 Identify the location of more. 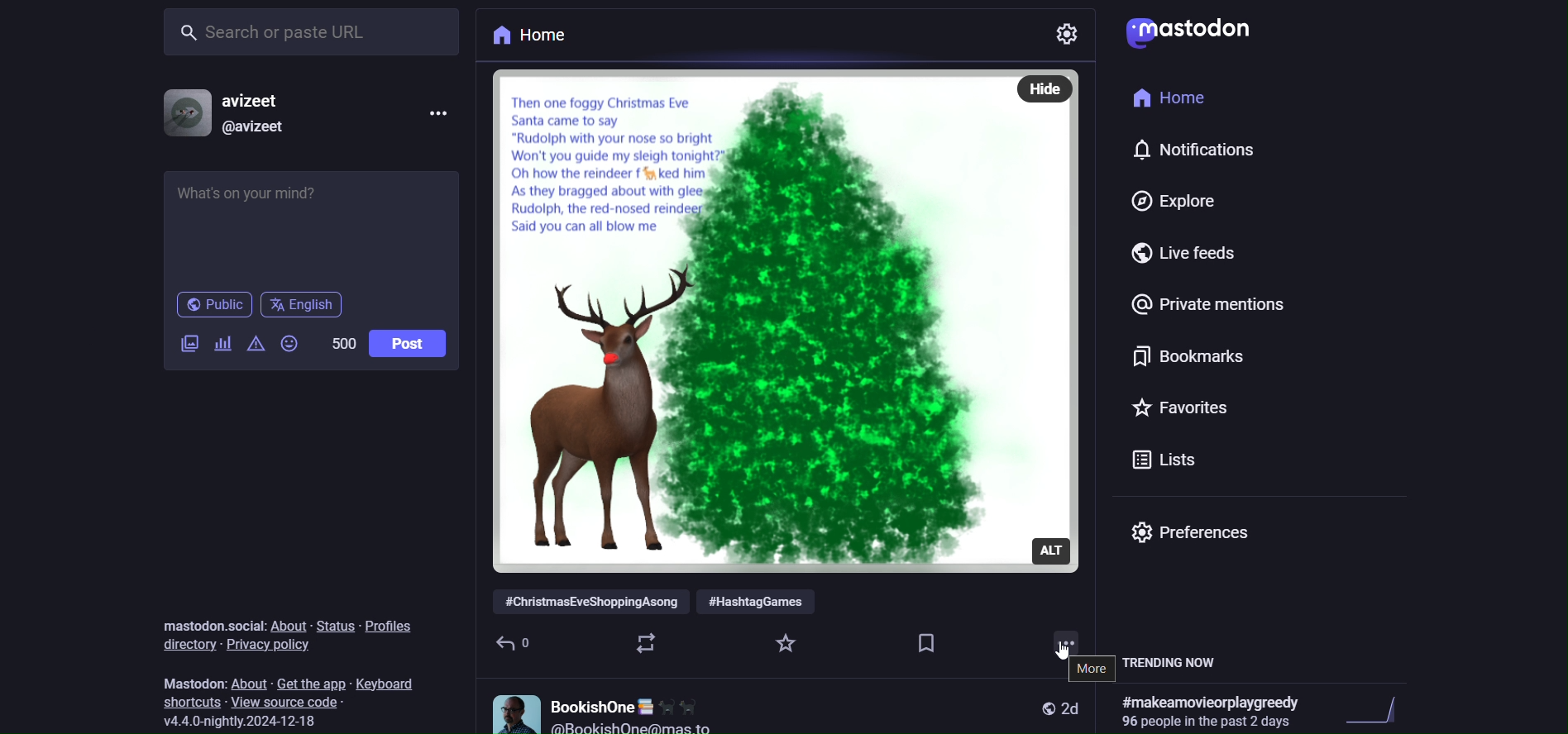
(1088, 667).